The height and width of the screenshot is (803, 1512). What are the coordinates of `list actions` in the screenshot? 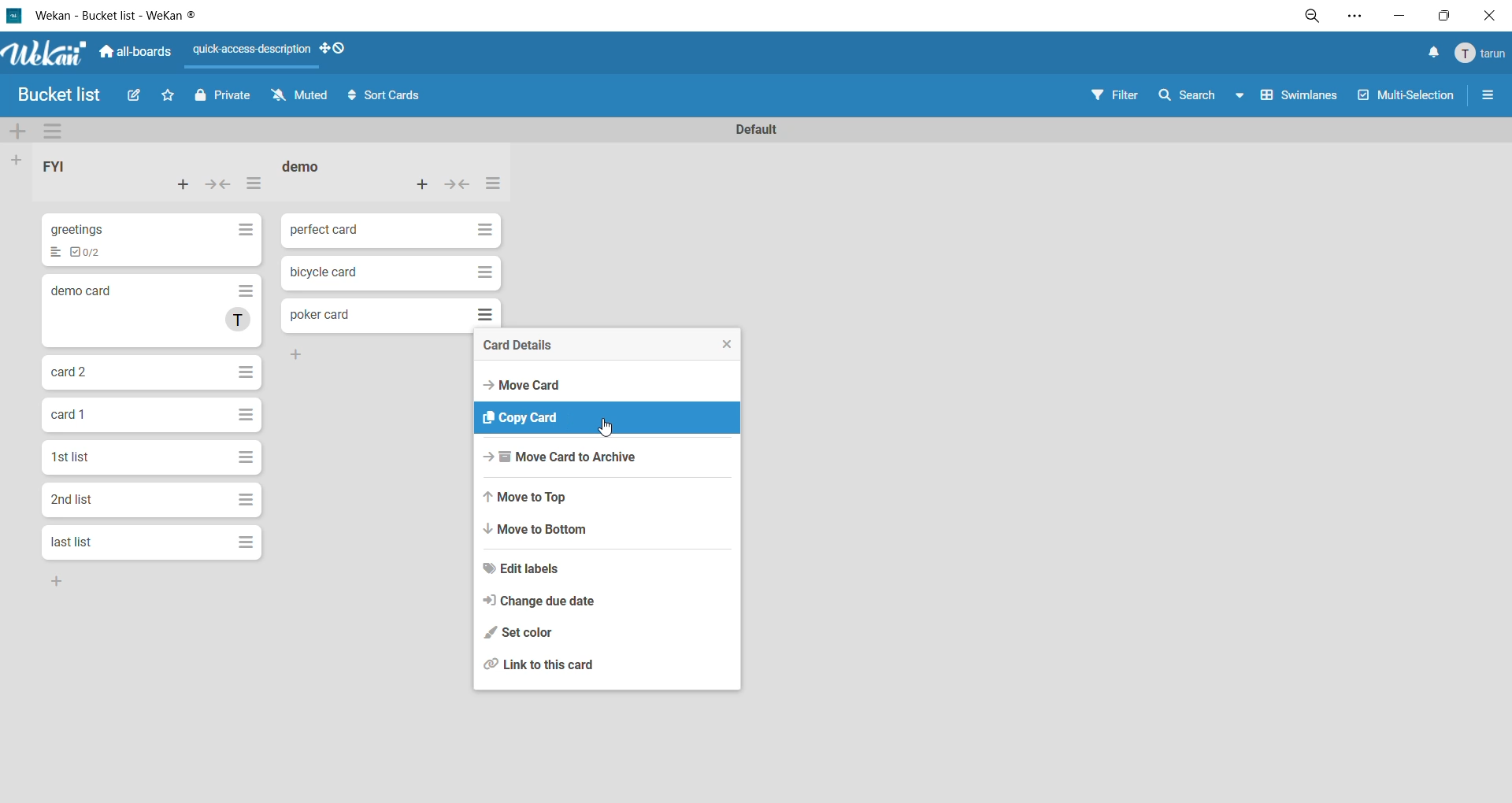 It's located at (254, 187).